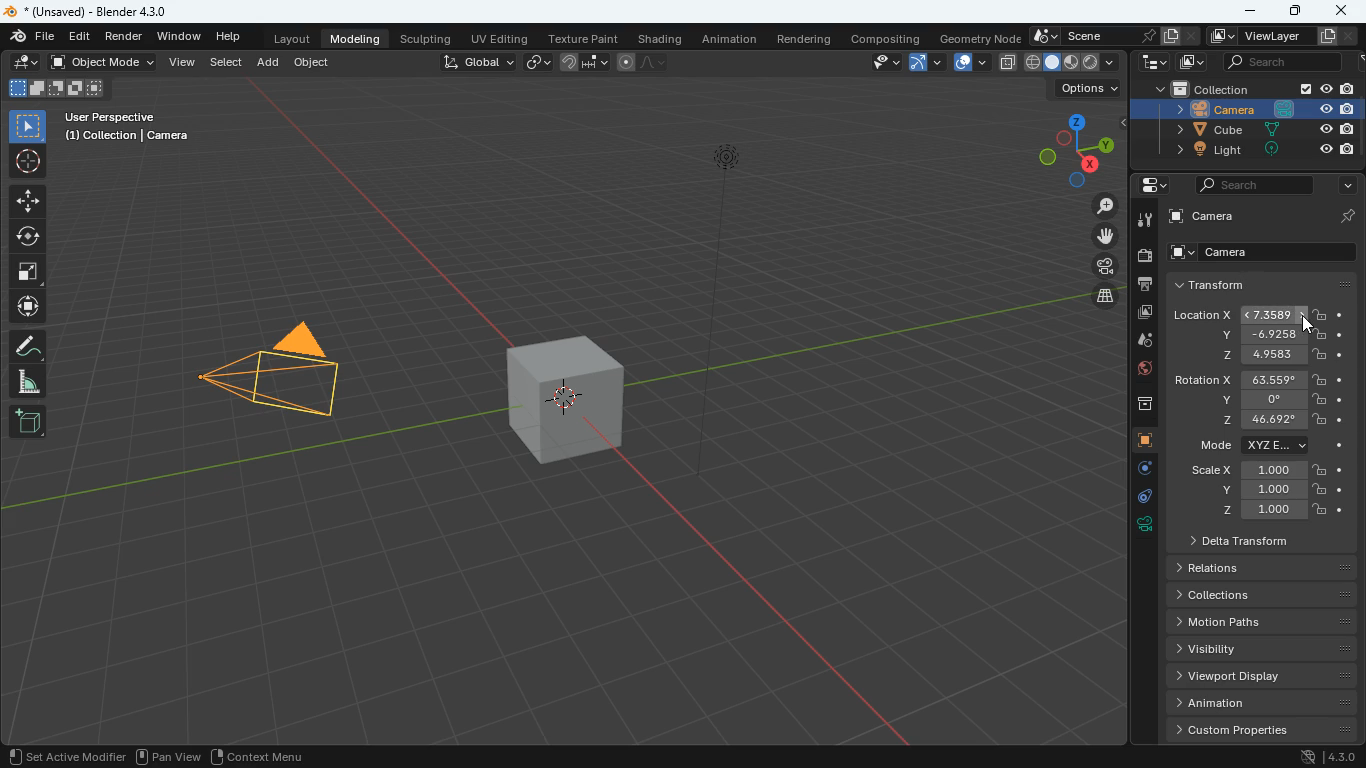 The height and width of the screenshot is (768, 1366). What do you see at coordinates (1258, 151) in the screenshot?
I see `light` at bounding box center [1258, 151].